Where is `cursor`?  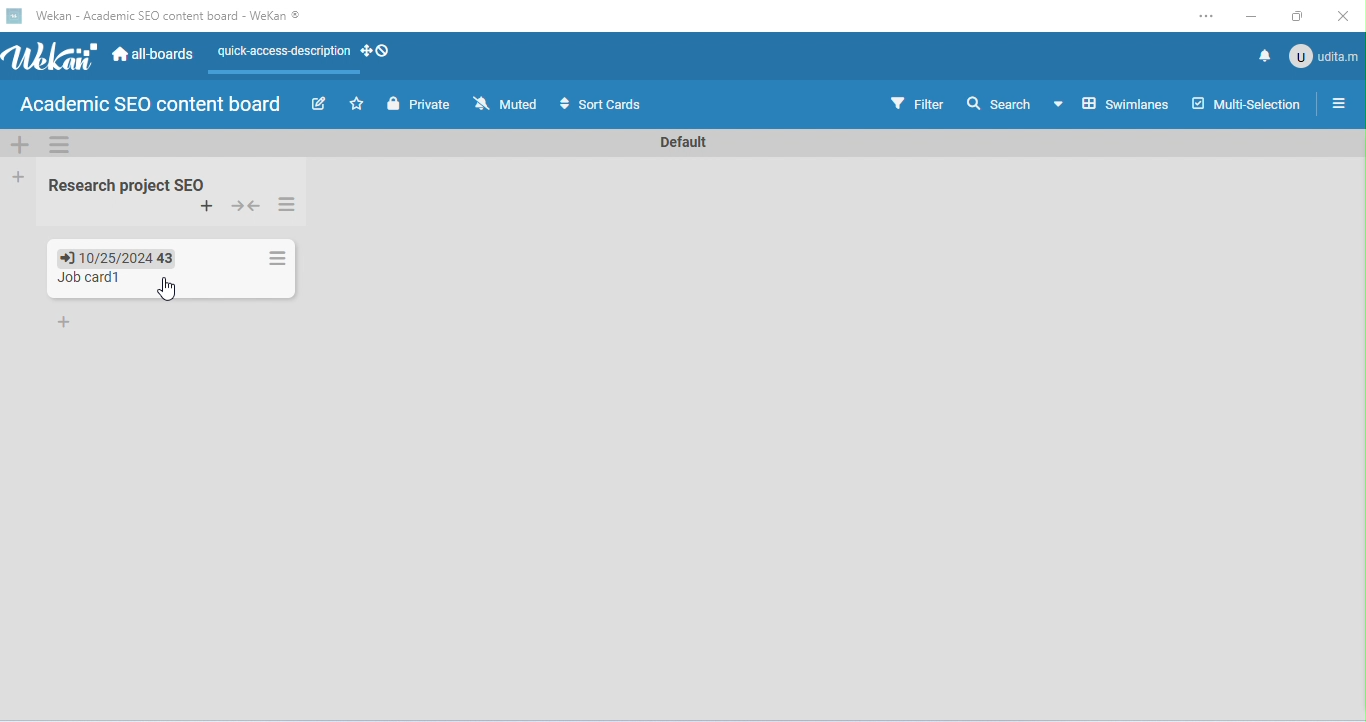
cursor is located at coordinates (166, 290).